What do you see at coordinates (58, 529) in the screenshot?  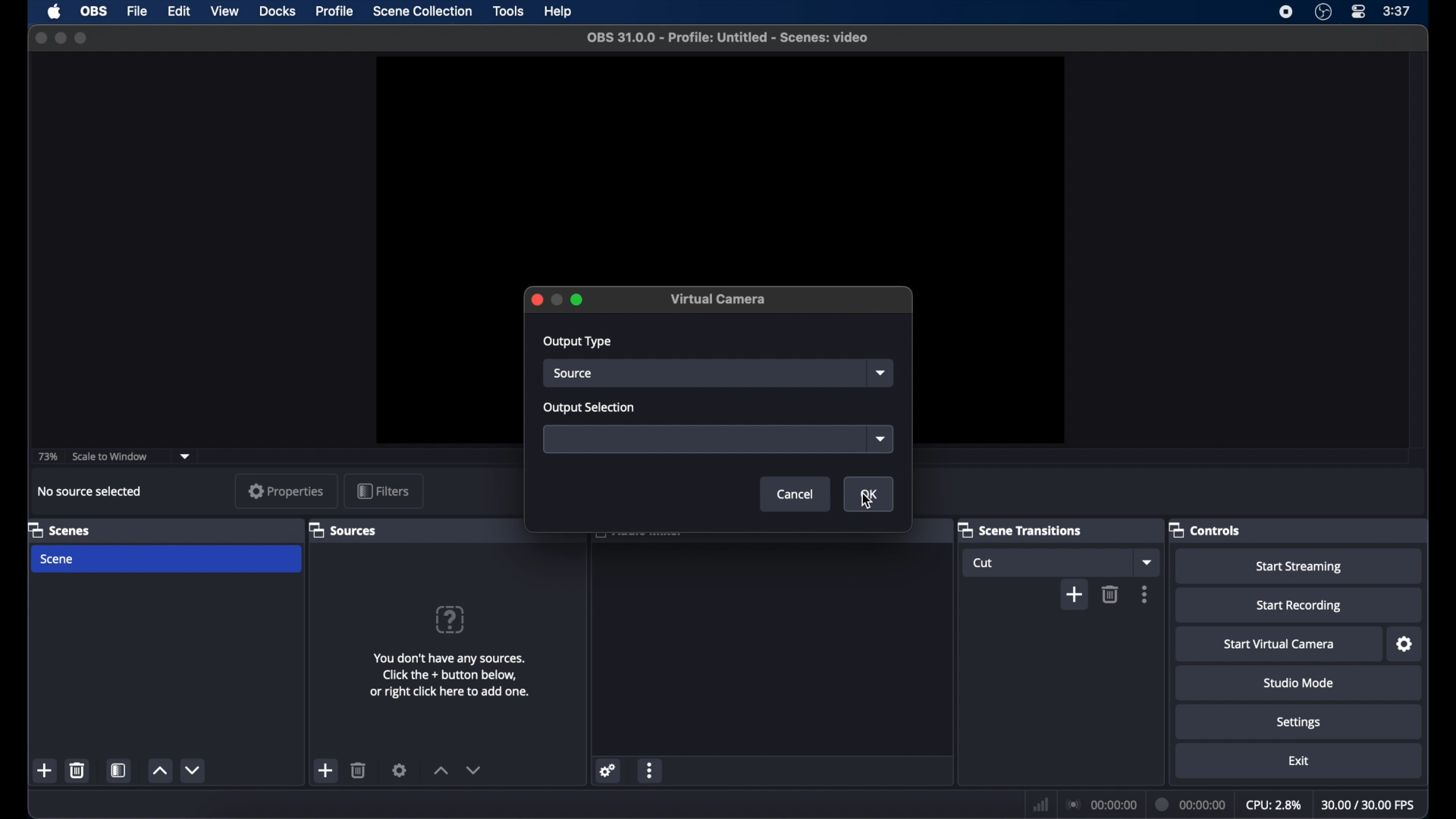 I see `scenes` at bounding box center [58, 529].